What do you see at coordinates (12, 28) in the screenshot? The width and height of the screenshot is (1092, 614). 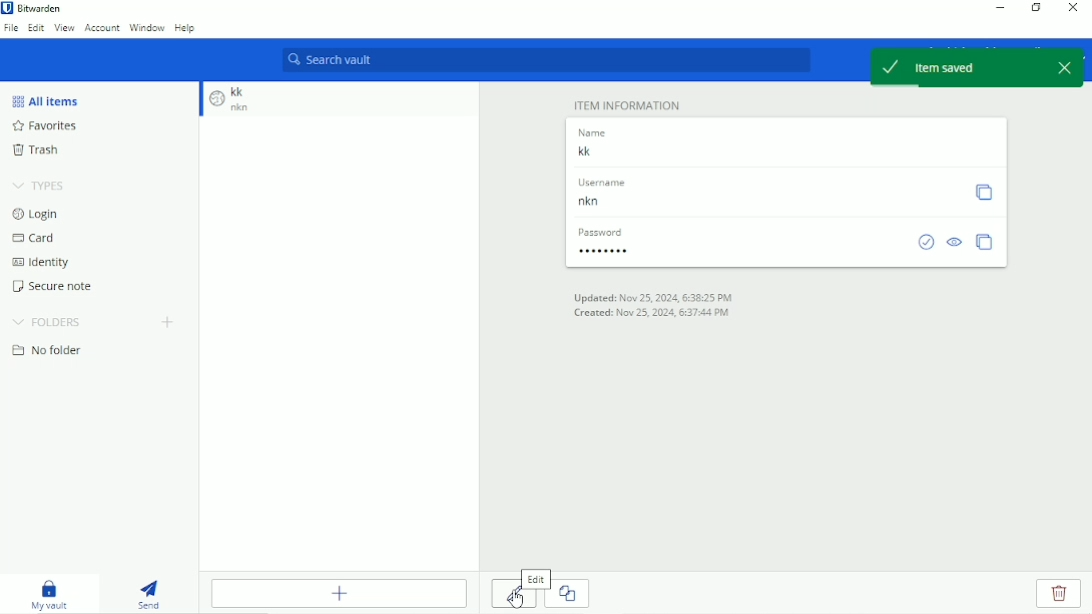 I see `File` at bounding box center [12, 28].